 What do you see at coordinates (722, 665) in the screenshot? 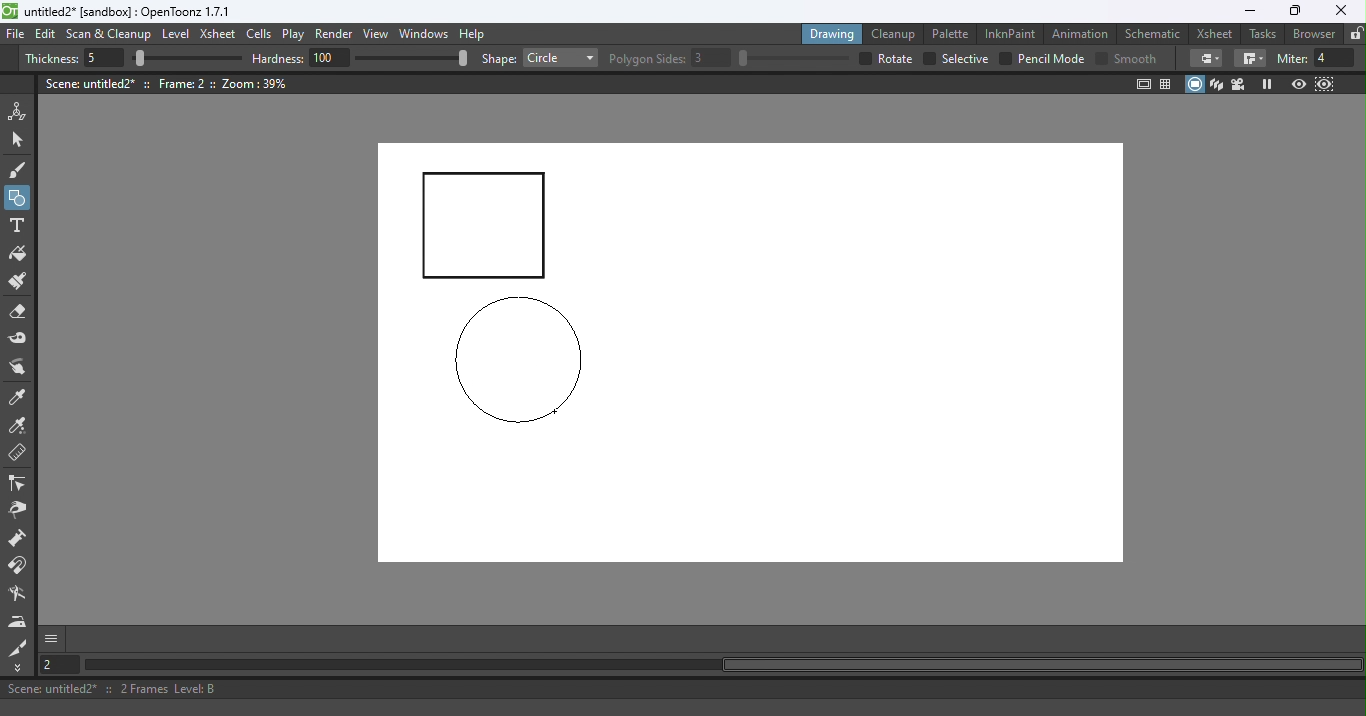
I see `Horizontal scroll bar` at bounding box center [722, 665].